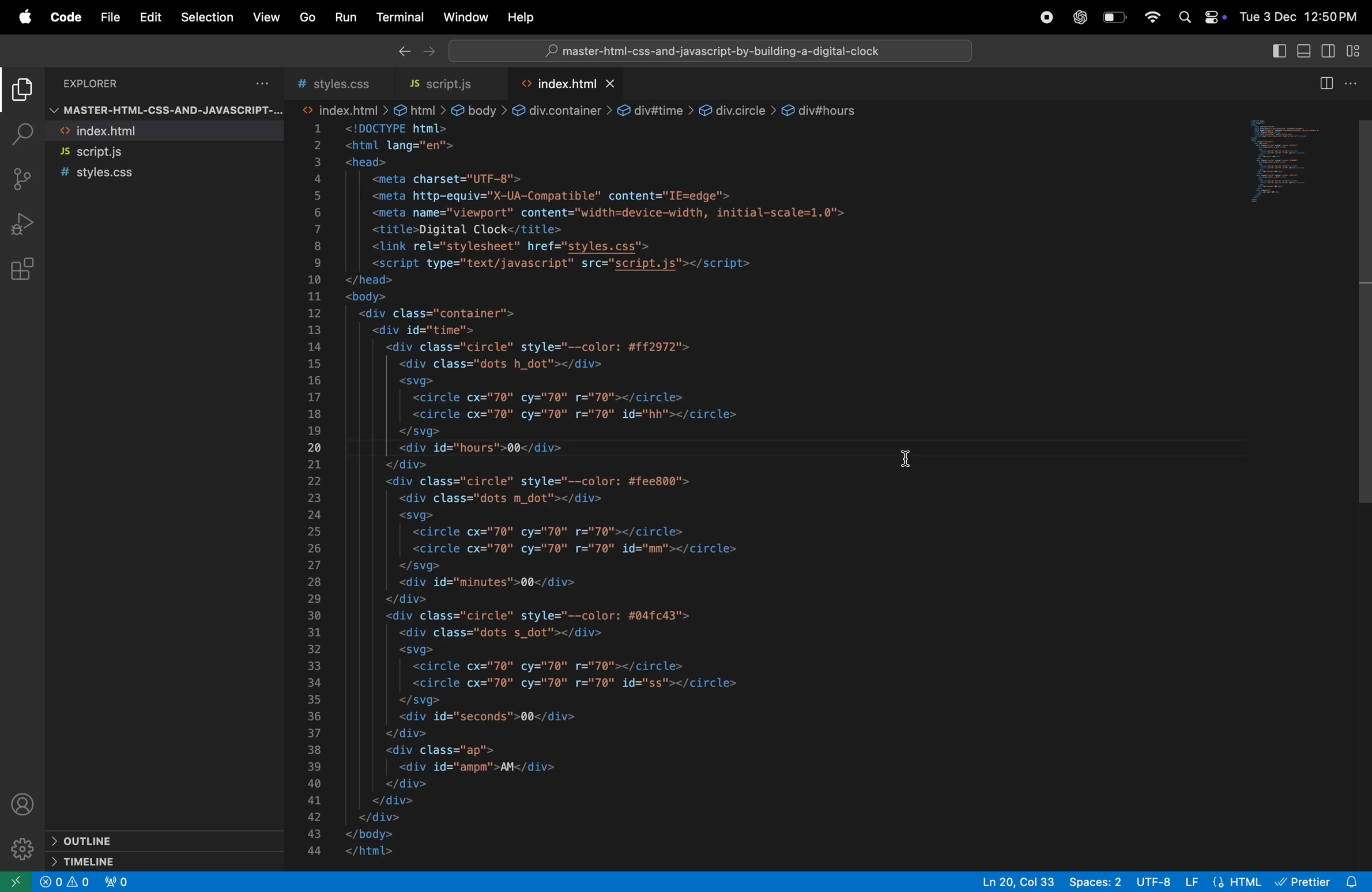 This screenshot has height=892, width=1372. Describe the element at coordinates (263, 82) in the screenshot. I see `options` at that location.